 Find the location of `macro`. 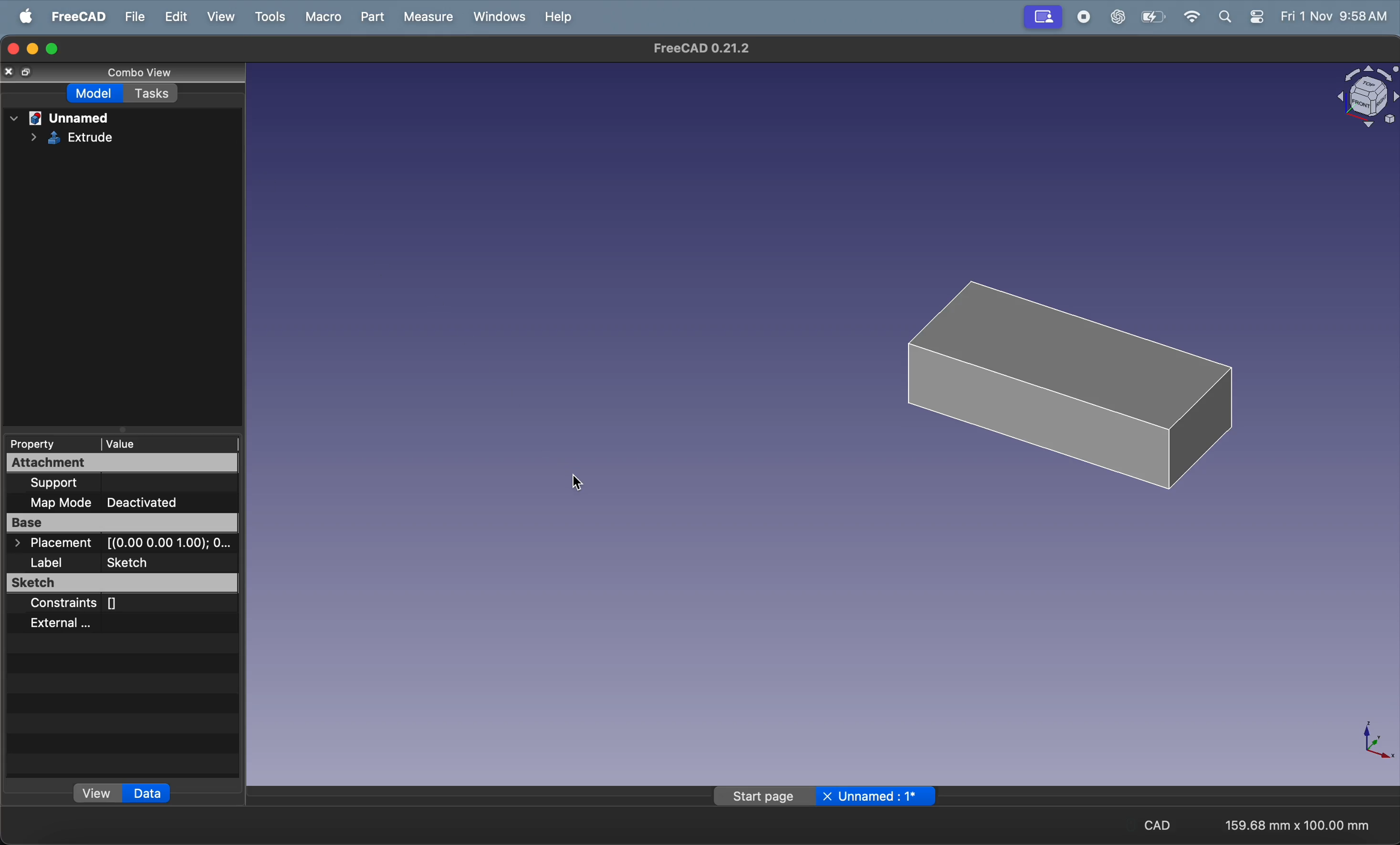

macro is located at coordinates (319, 17).